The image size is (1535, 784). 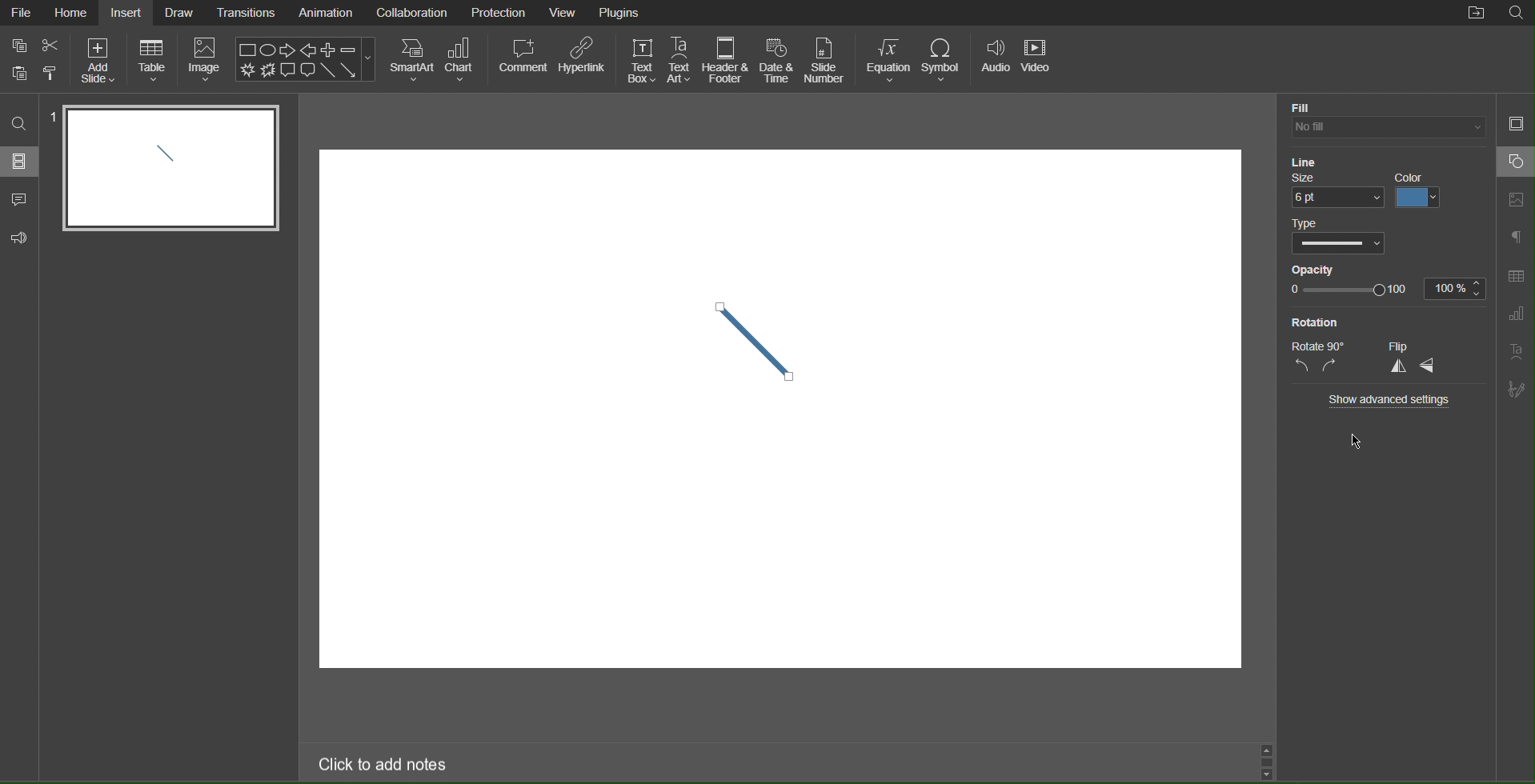 What do you see at coordinates (206, 62) in the screenshot?
I see `Image` at bounding box center [206, 62].